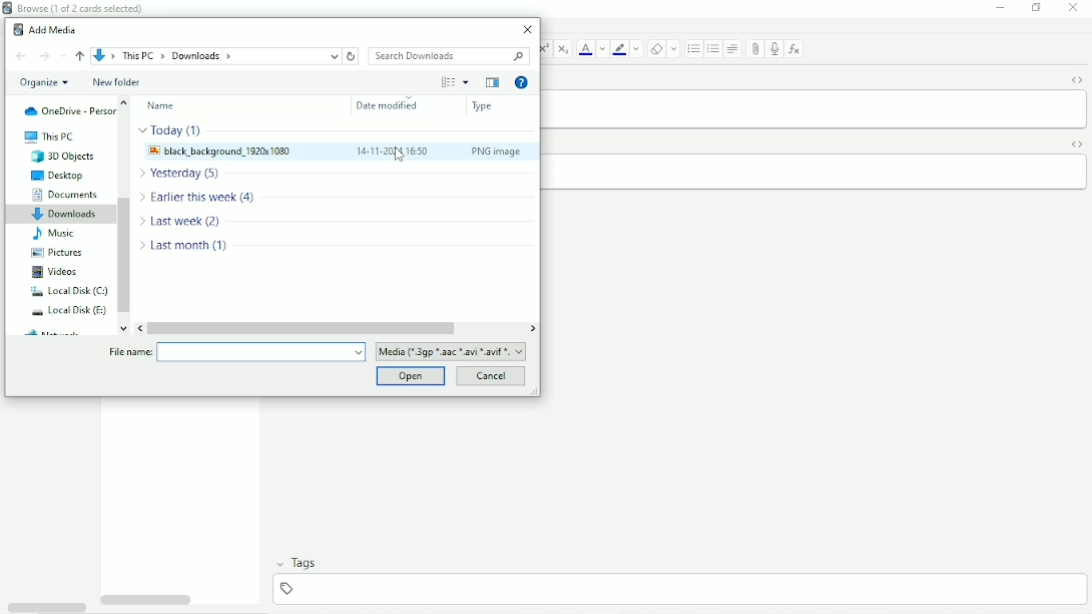 The height and width of the screenshot is (614, 1092). What do you see at coordinates (44, 83) in the screenshot?
I see `Organize` at bounding box center [44, 83].